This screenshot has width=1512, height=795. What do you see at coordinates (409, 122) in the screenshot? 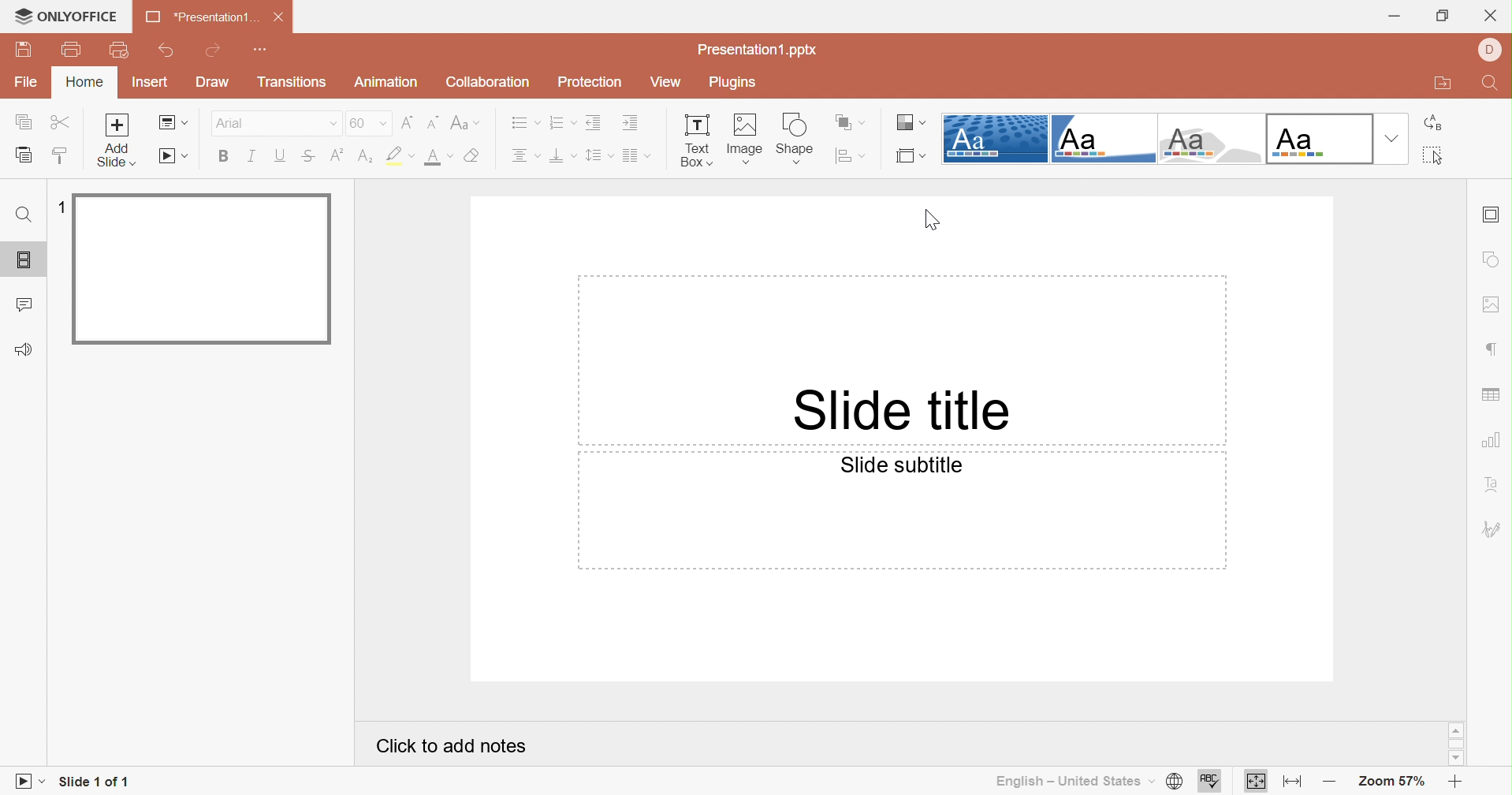
I see `Increment font size` at bounding box center [409, 122].